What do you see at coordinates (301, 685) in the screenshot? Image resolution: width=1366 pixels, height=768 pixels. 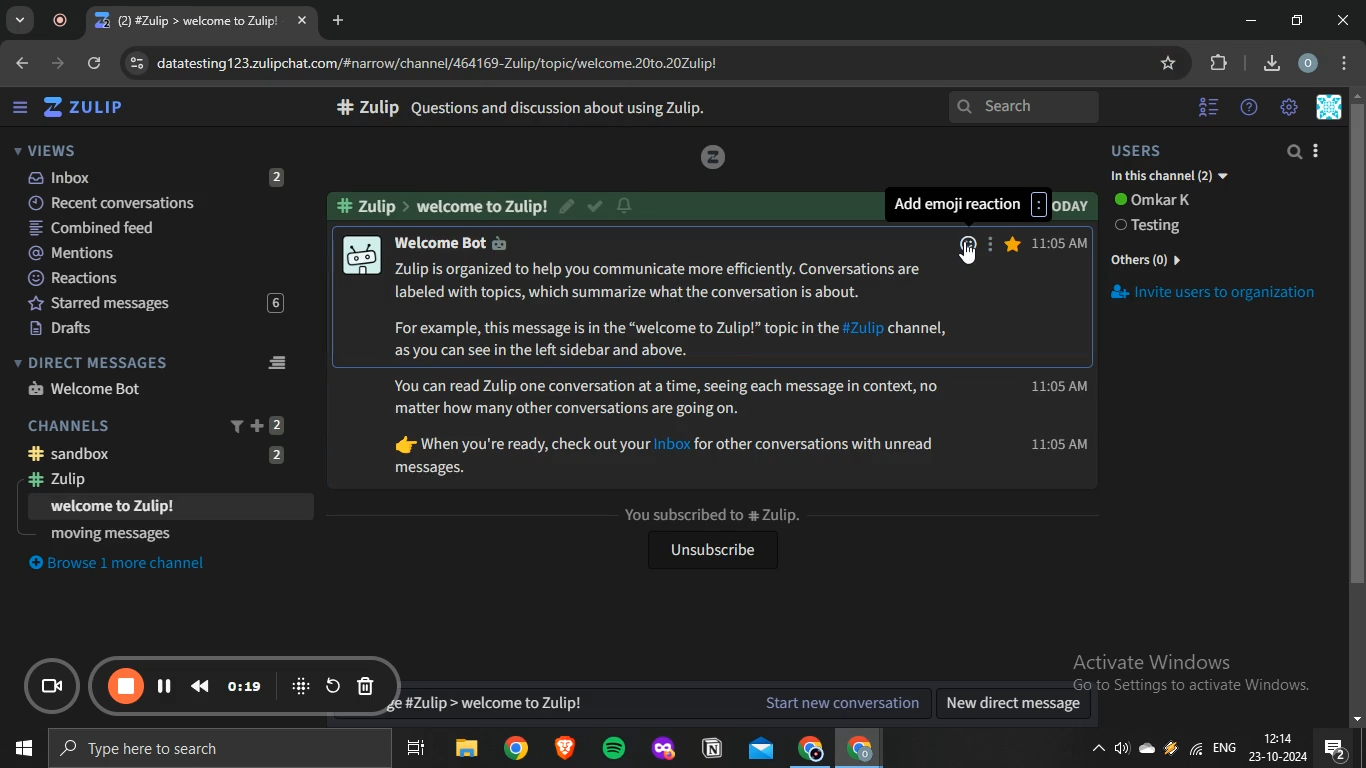 I see `icon` at bounding box center [301, 685].